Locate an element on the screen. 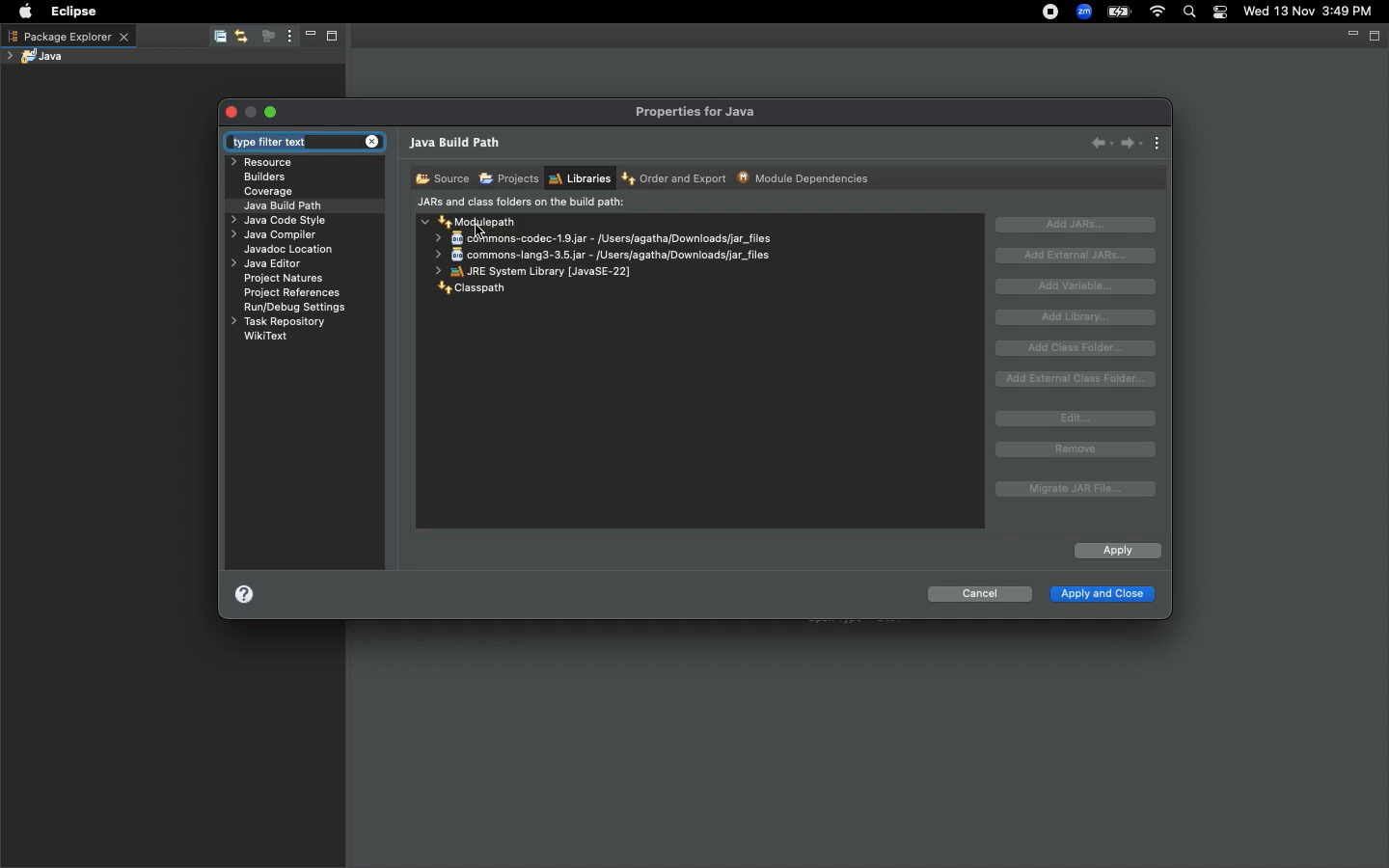 The width and height of the screenshot is (1389, 868). Java project is located at coordinates (40, 56).